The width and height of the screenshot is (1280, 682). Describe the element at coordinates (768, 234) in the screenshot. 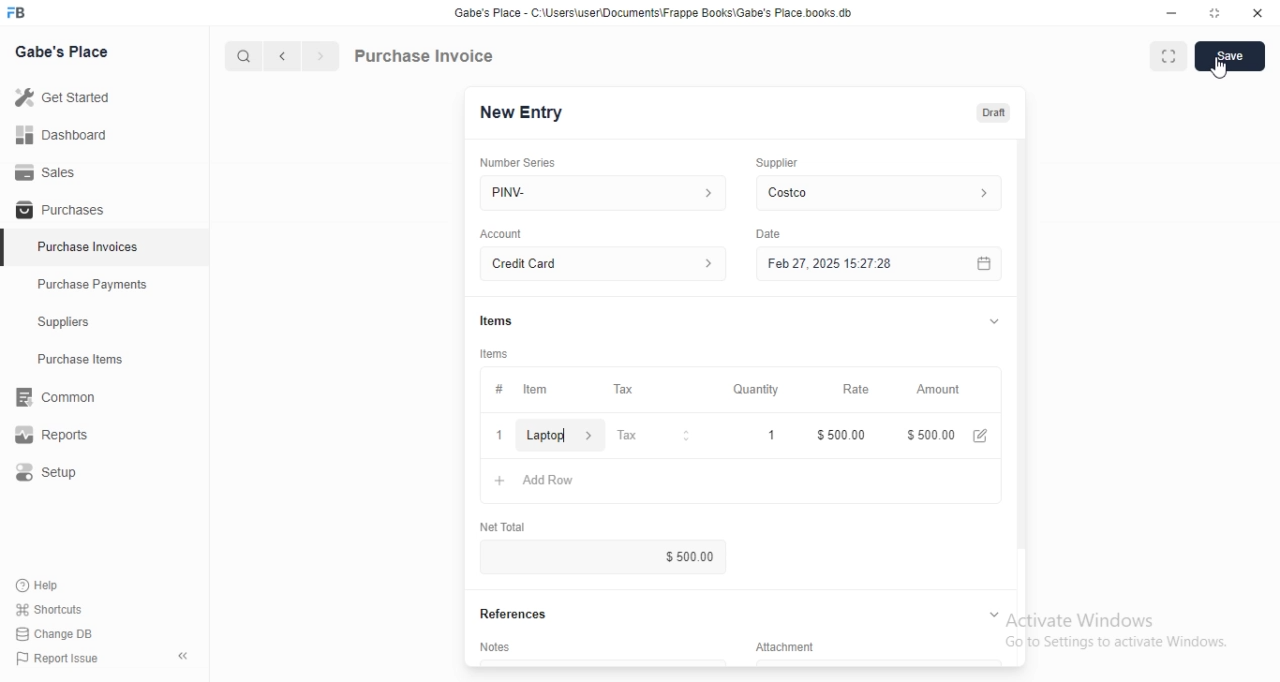

I see `Date` at that location.